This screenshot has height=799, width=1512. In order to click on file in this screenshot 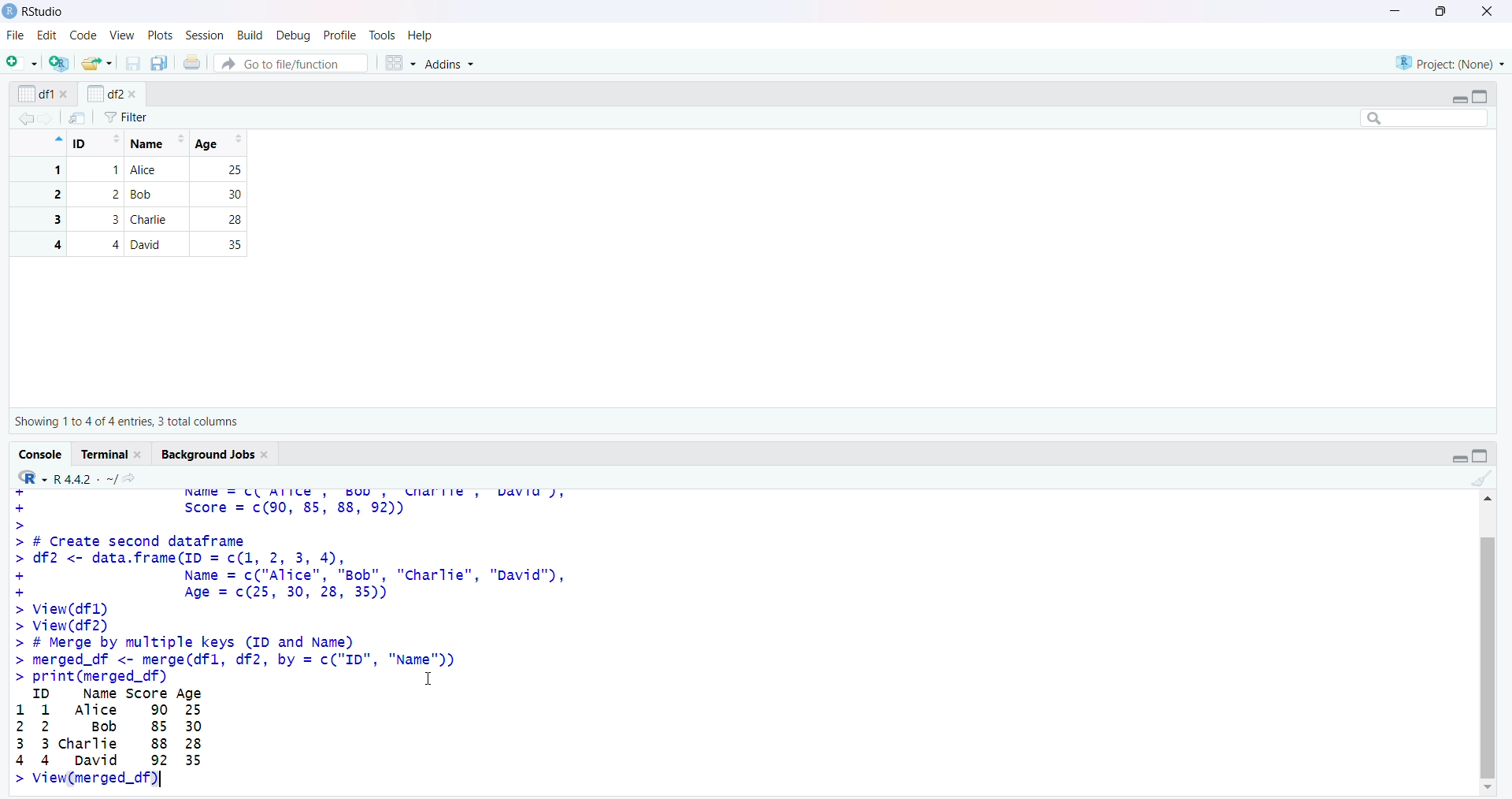, I will do `click(17, 35)`.